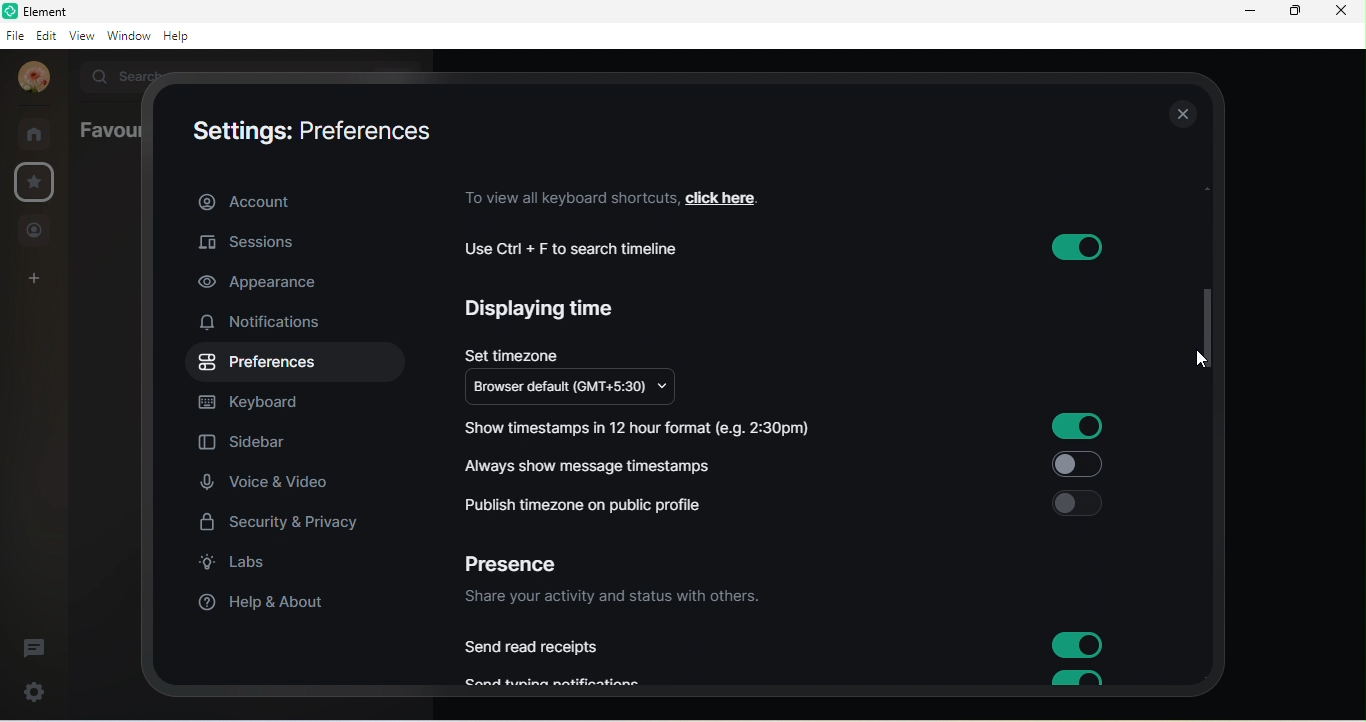 The height and width of the screenshot is (722, 1366). What do you see at coordinates (619, 598) in the screenshot?
I see `share your activity and status with others.` at bounding box center [619, 598].